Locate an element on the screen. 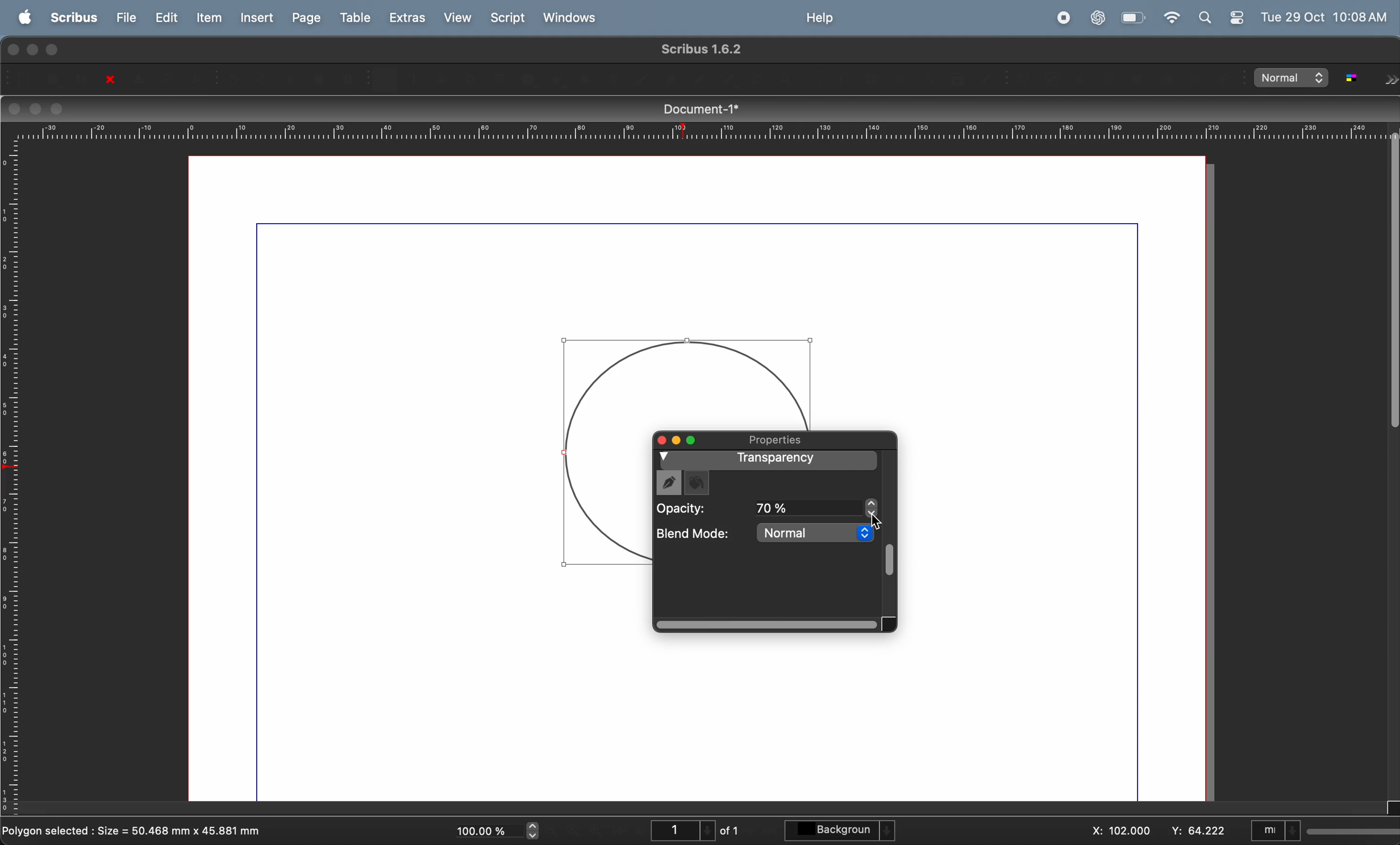 The image size is (1400, 845). background is located at coordinates (840, 829).